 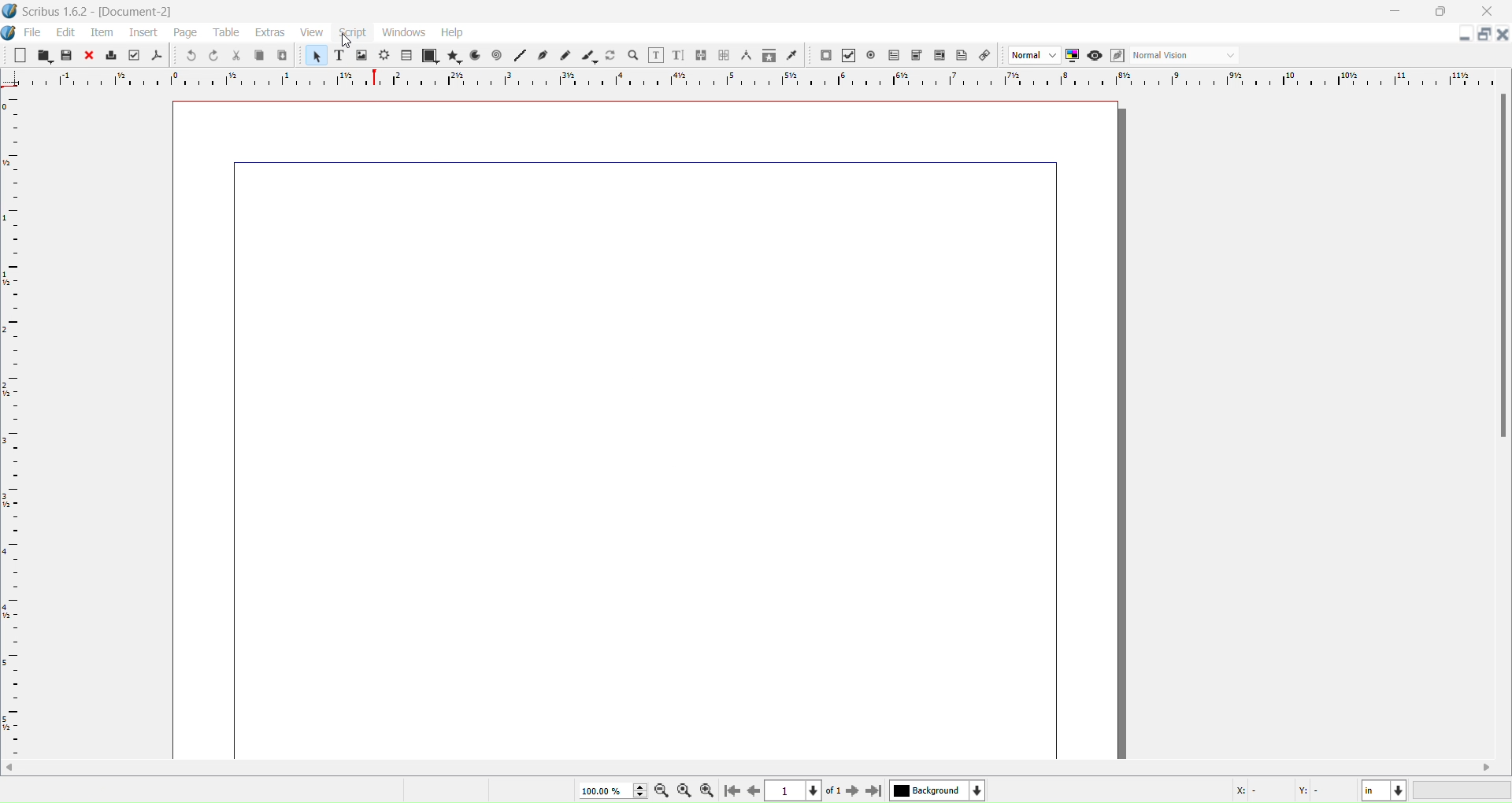 What do you see at coordinates (1032, 56) in the screenshot?
I see `Select the image preview quality` at bounding box center [1032, 56].